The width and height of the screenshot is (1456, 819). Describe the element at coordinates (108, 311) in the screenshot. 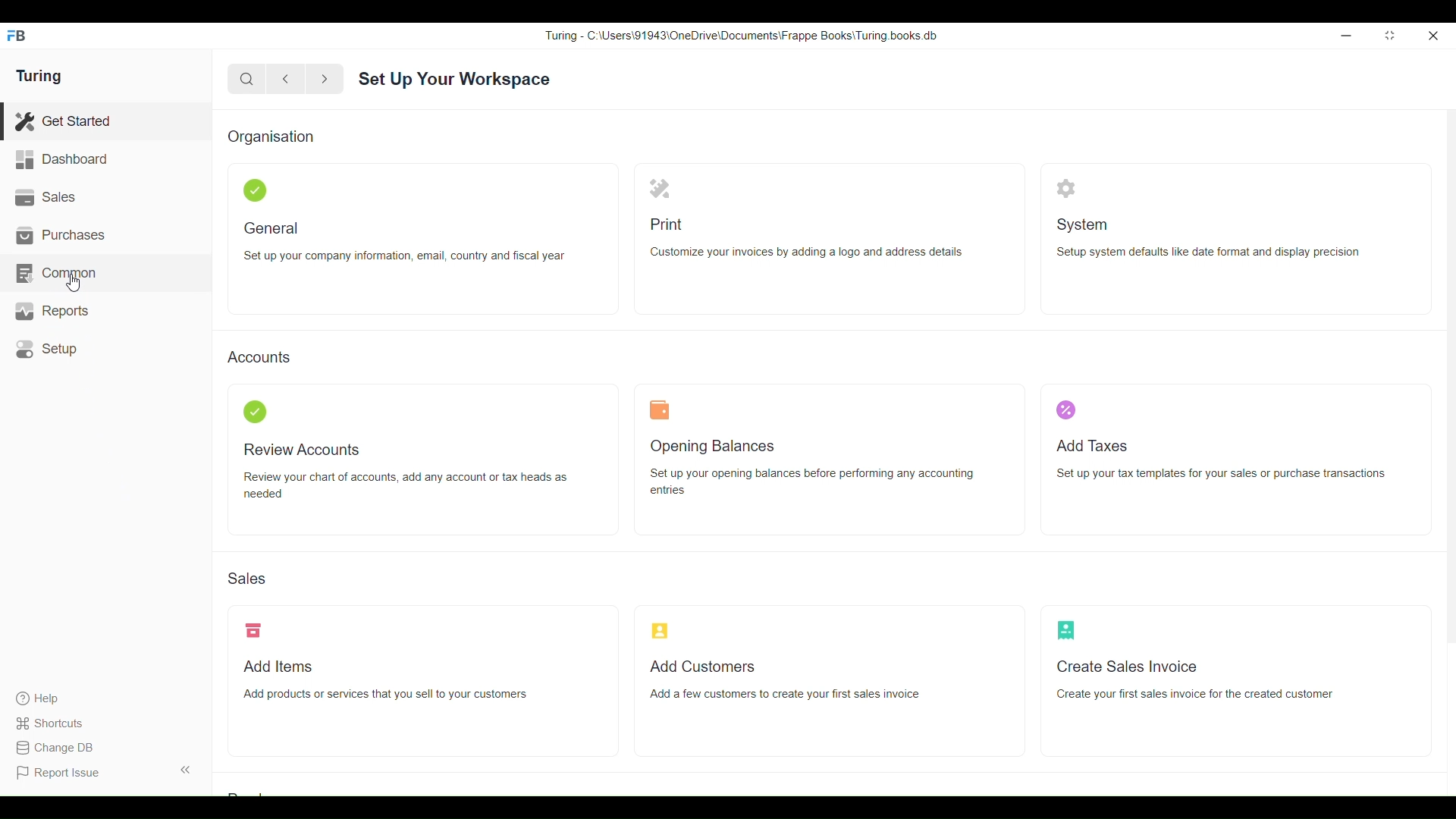

I see `Reports` at that location.